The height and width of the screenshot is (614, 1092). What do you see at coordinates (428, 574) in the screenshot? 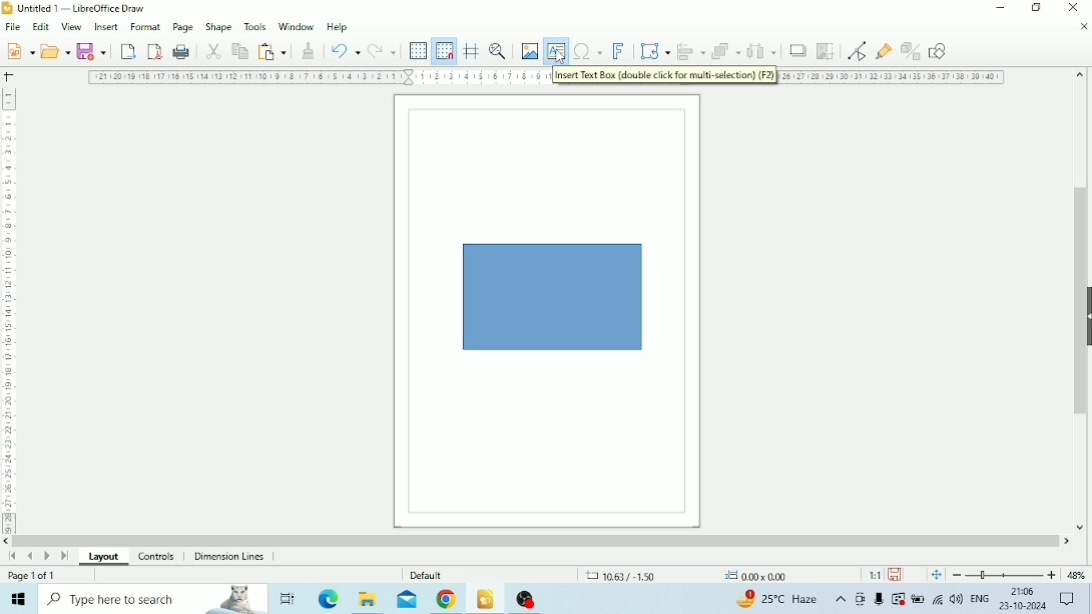
I see `Default` at bounding box center [428, 574].